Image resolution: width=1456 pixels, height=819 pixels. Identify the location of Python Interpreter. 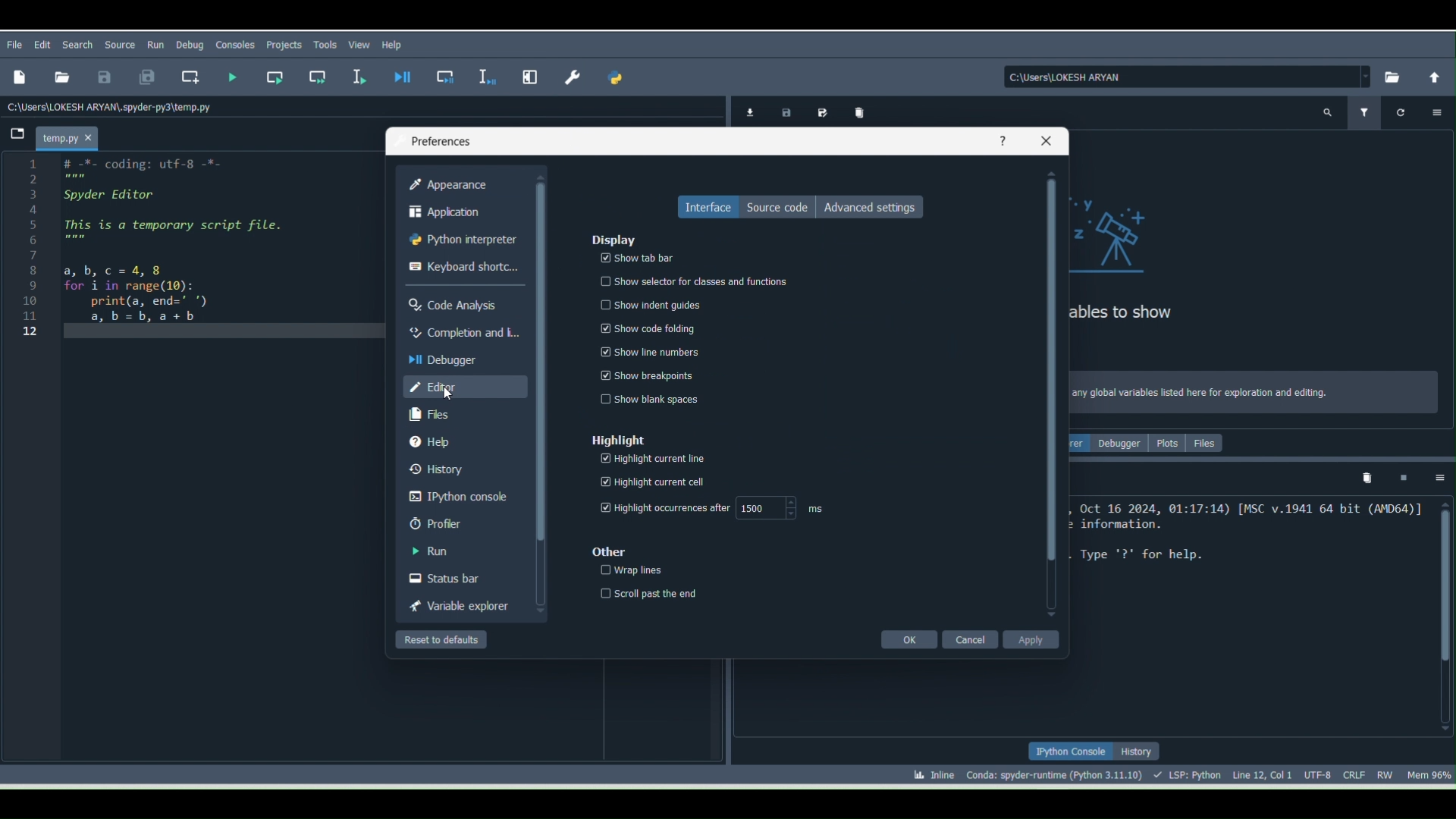
(465, 242).